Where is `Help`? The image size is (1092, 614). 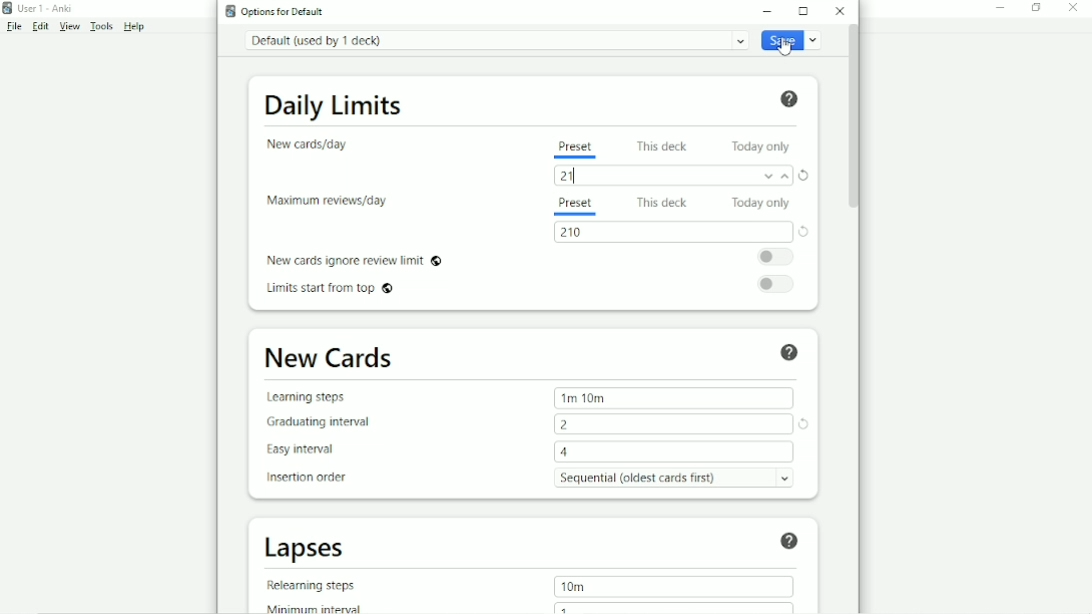 Help is located at coordinates (136, 27).